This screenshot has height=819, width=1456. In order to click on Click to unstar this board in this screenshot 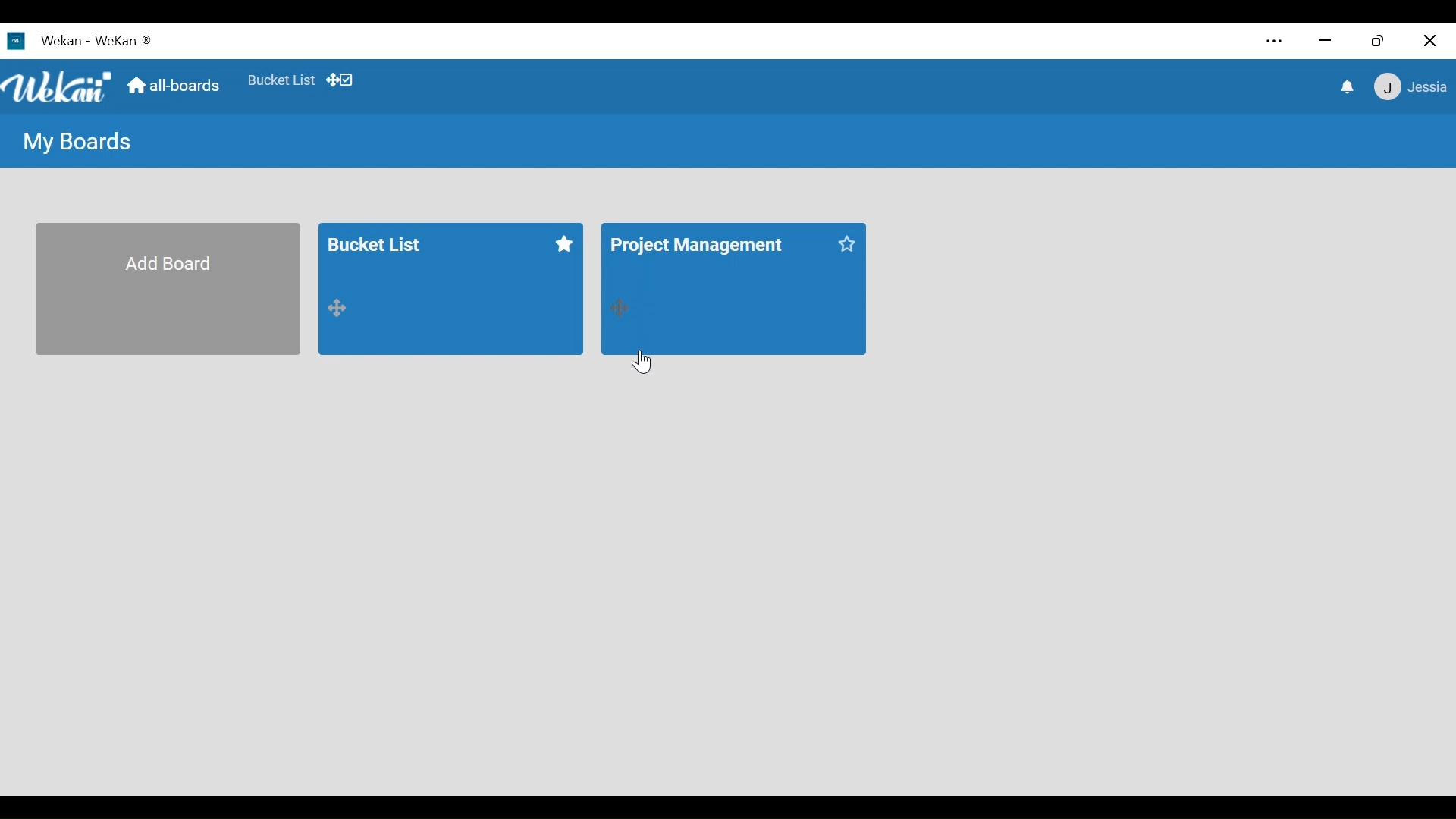, I will do `click(564, 243)`.